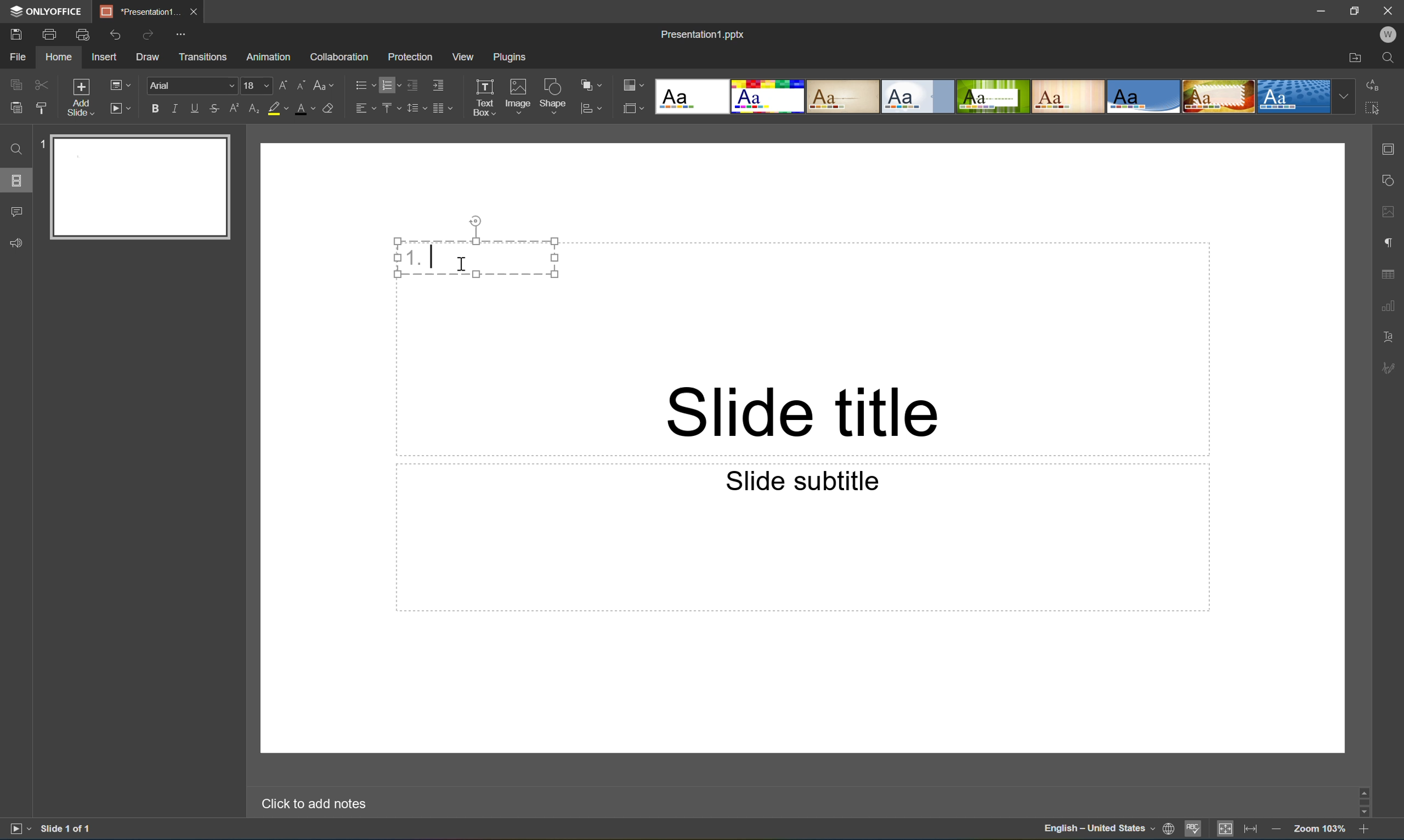 Image resolution: width=1404 pixels, height=840 pixels. What do you see at coordinates (277, 106) in the screenshot?
I see `Highlight color` at bounding box center [277, 106].